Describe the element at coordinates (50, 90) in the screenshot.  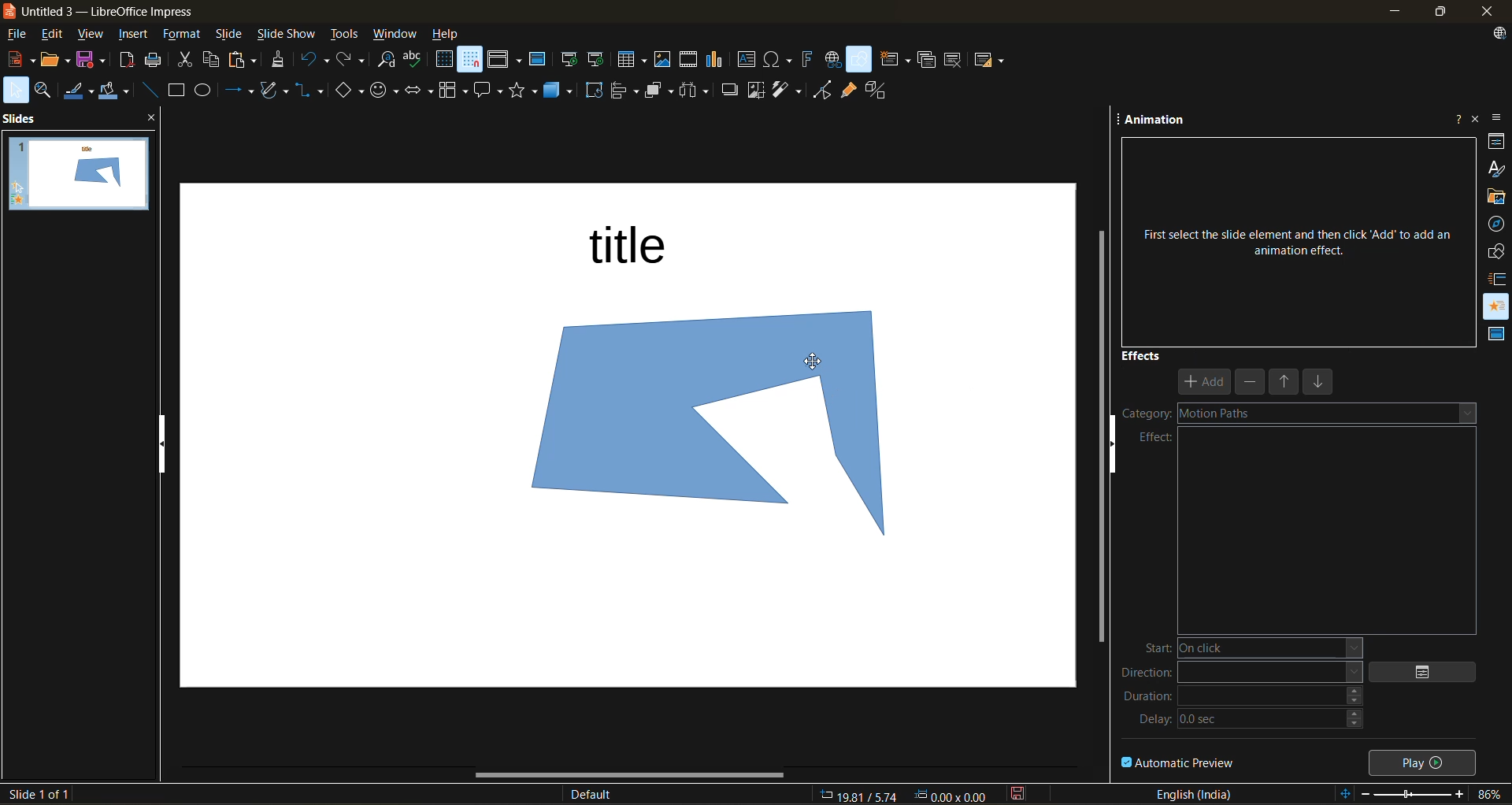
I see `zoom and pan` at that location.